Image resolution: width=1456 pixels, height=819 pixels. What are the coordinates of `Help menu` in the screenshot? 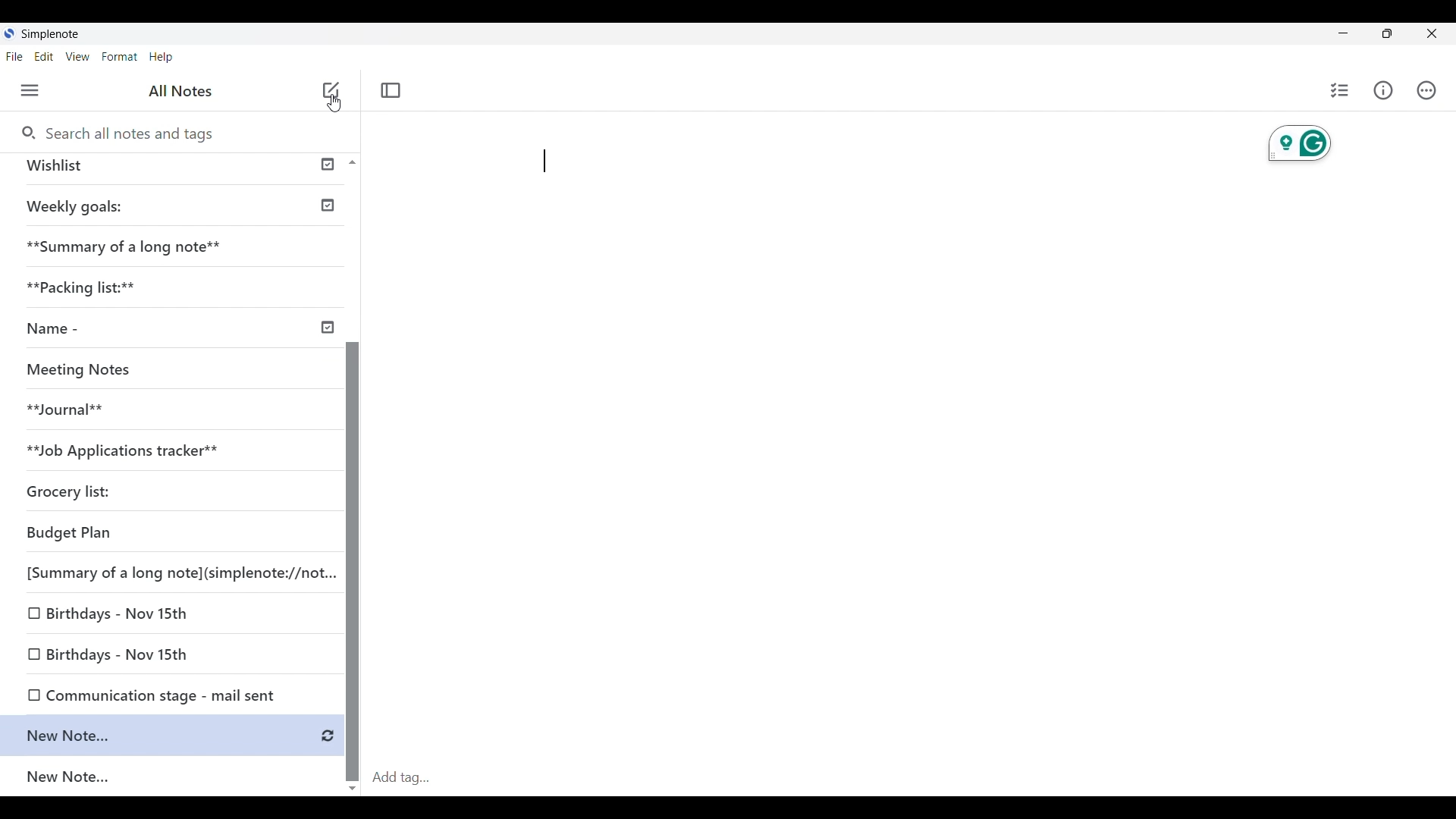 It's located at (162, 57).